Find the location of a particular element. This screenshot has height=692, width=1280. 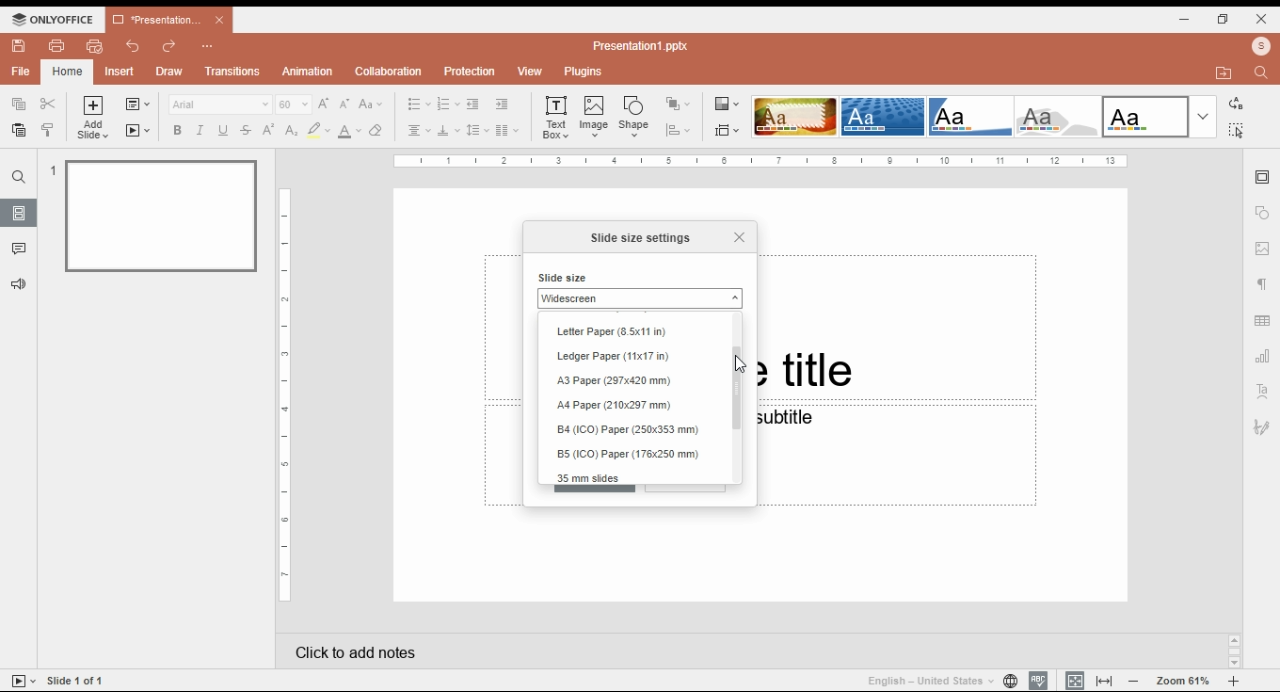

print file is located at coordinates (57, 46).